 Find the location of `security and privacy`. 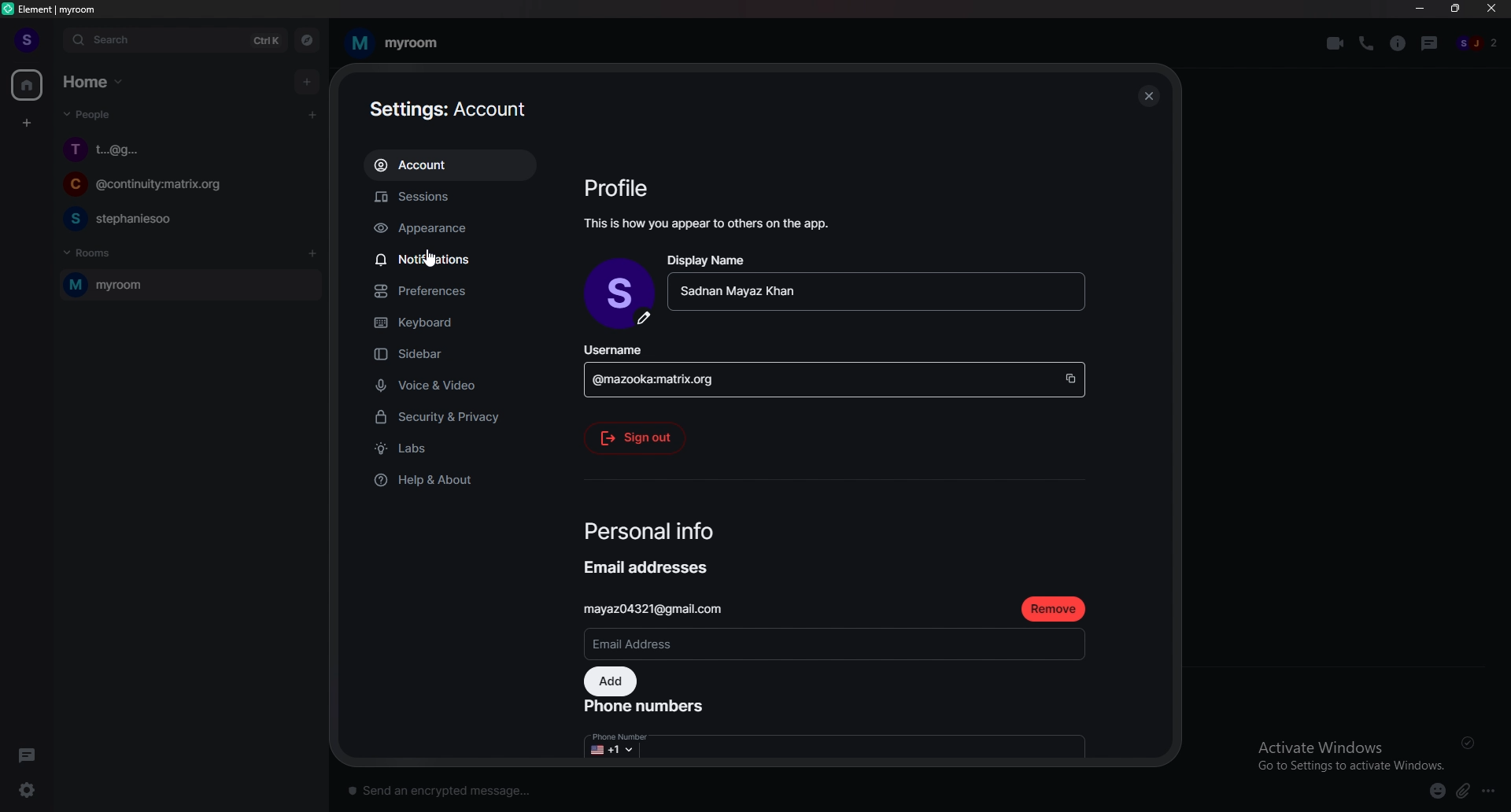

security and privacy is located at coordinates (456, 417).